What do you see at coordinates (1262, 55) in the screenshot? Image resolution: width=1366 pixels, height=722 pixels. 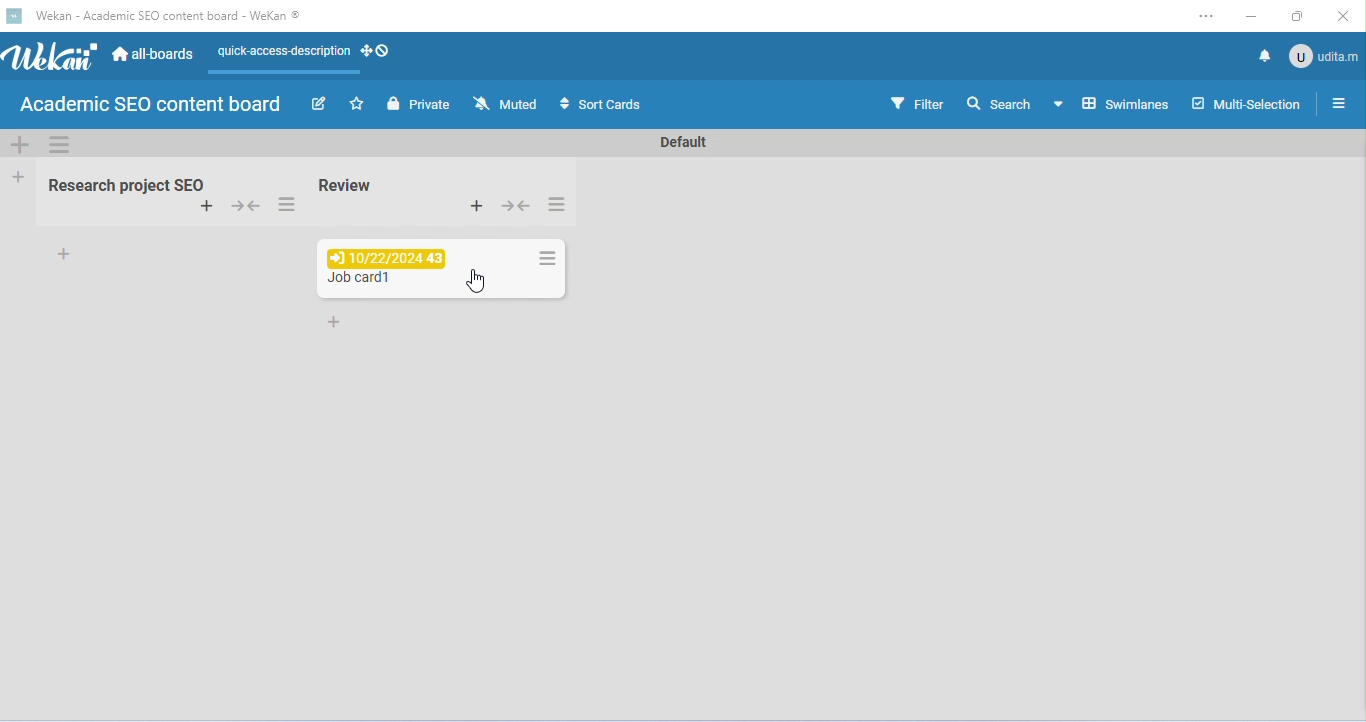 I see `notification` at bounding box center [1262, 55].